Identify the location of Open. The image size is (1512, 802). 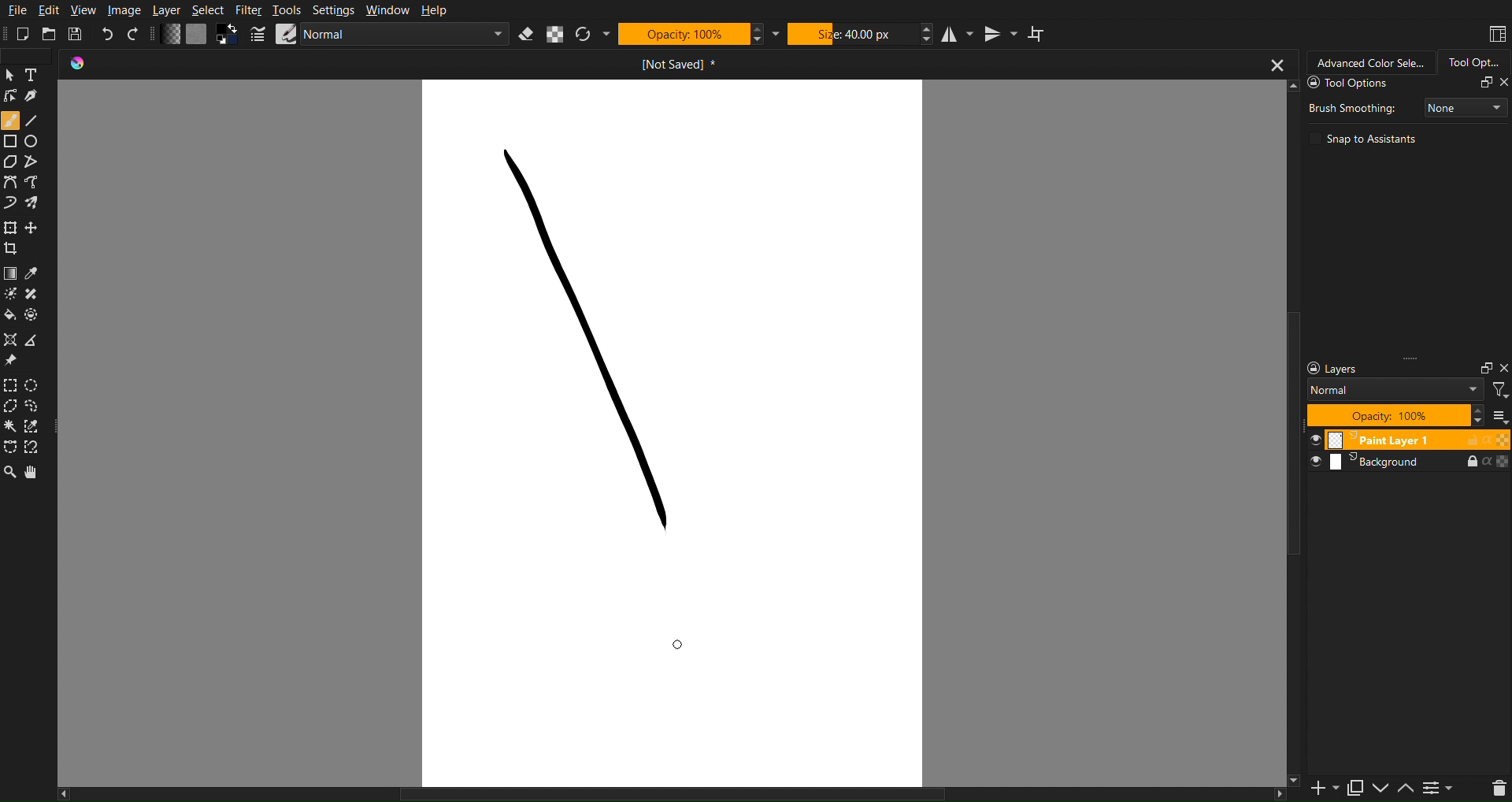
(50, 33).